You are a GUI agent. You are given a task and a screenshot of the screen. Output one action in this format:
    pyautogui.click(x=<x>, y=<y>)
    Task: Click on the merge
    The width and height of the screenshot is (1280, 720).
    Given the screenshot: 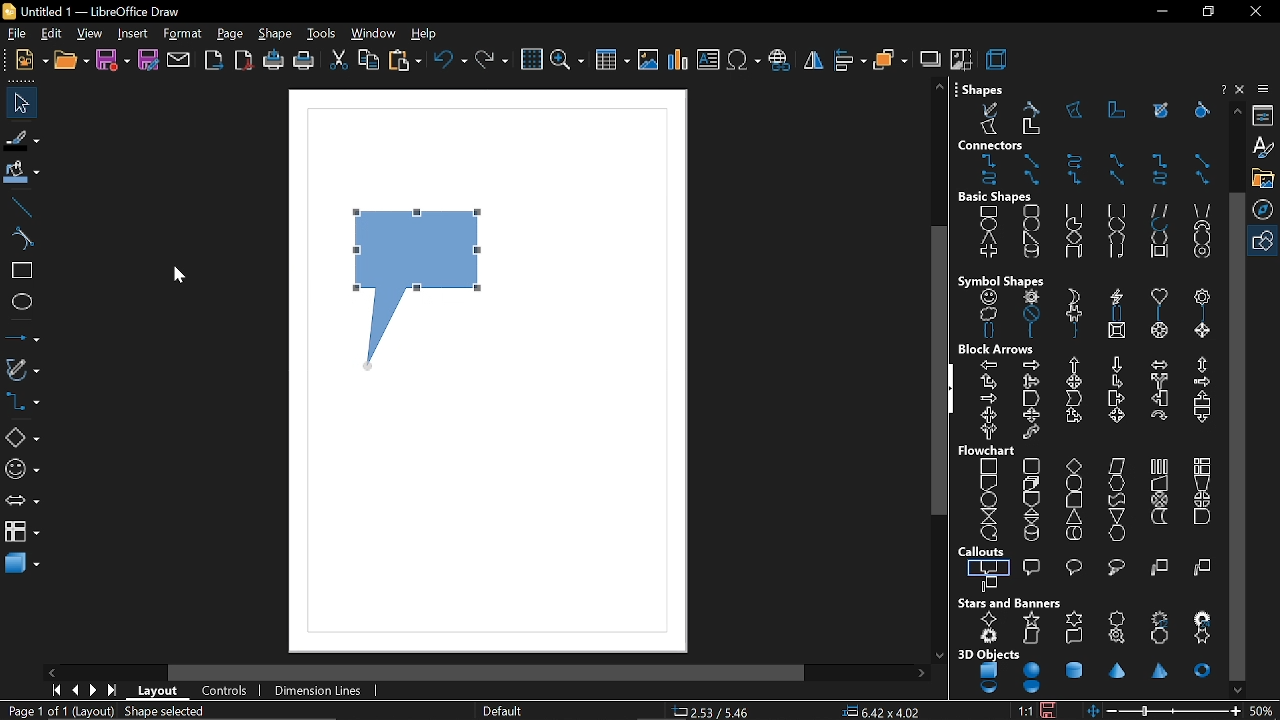 What is the action you would take?
    pyautogui.click(x=1117, y=515)
    